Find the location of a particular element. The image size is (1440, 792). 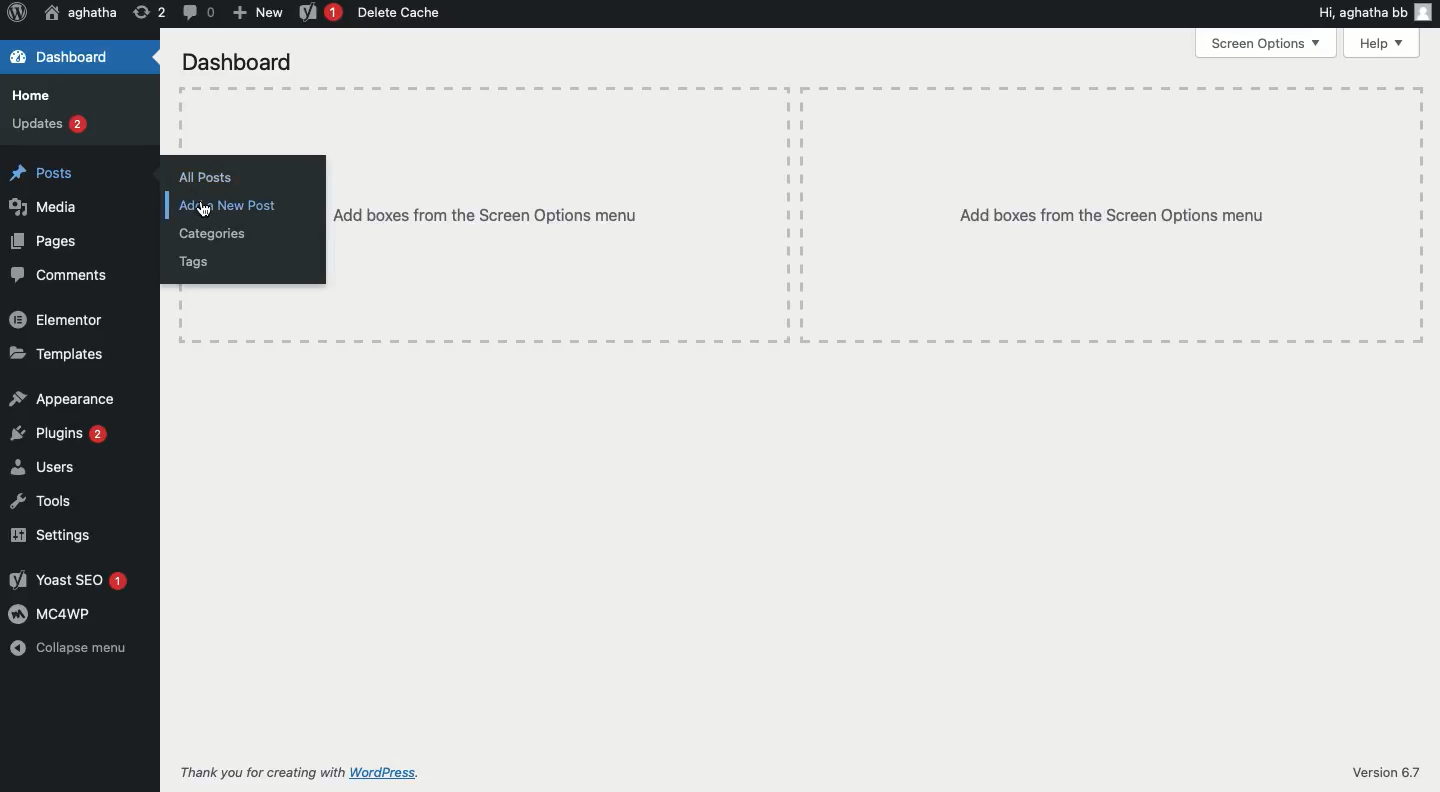

Table line is located at coordinates (182, 308).